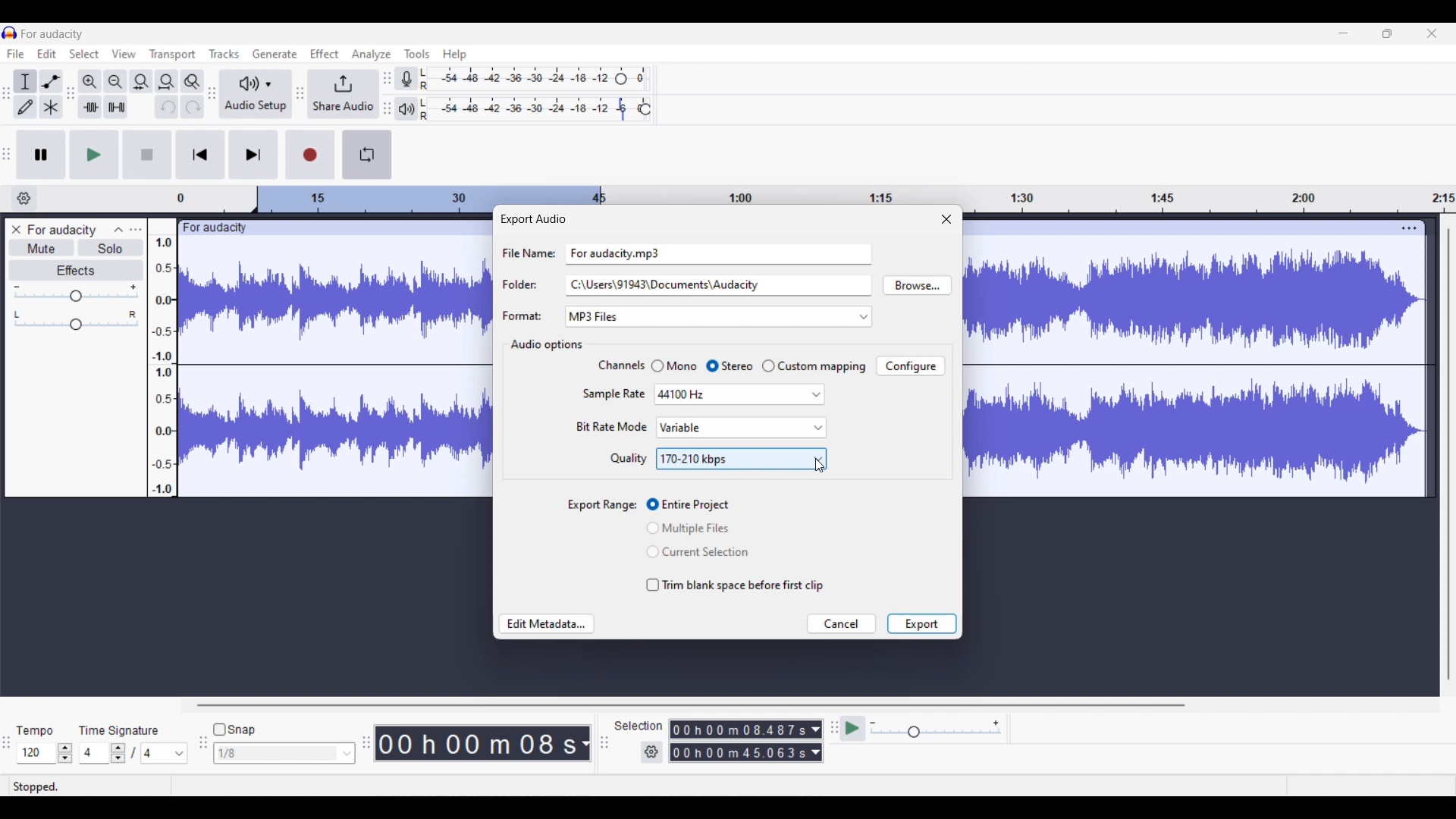 Image resolution: width=1456 pixels, height=819 pixels. I want to click on Playback meter, so click(406, 109).